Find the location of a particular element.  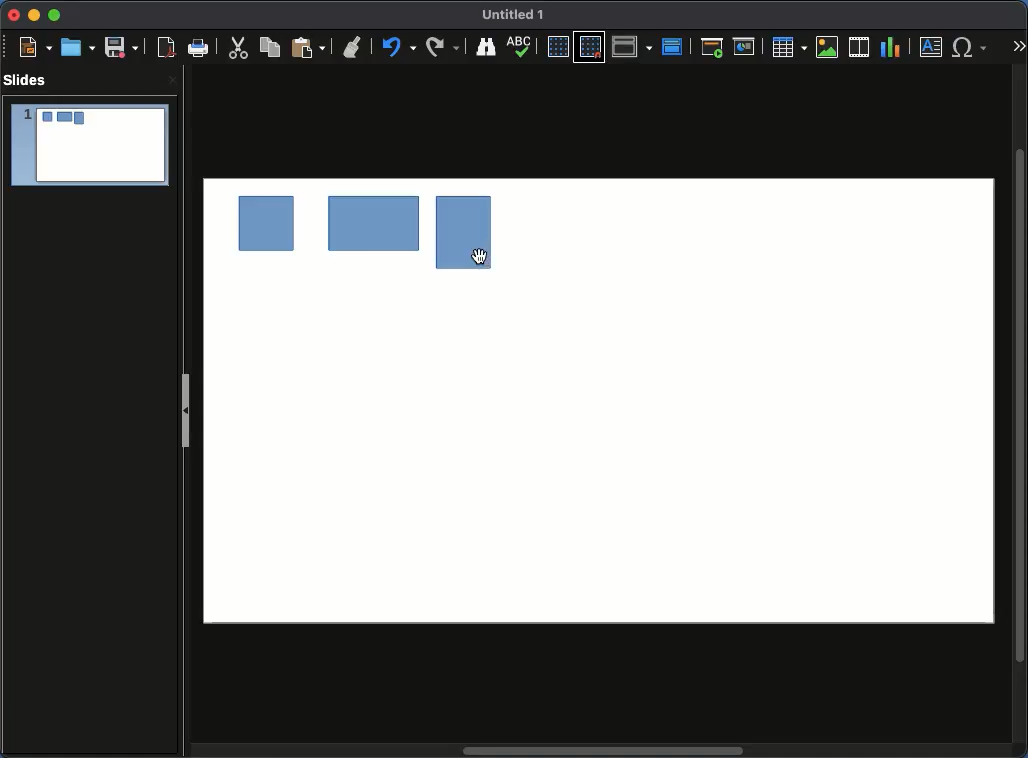

Copy is located at coordinates (270, 47).